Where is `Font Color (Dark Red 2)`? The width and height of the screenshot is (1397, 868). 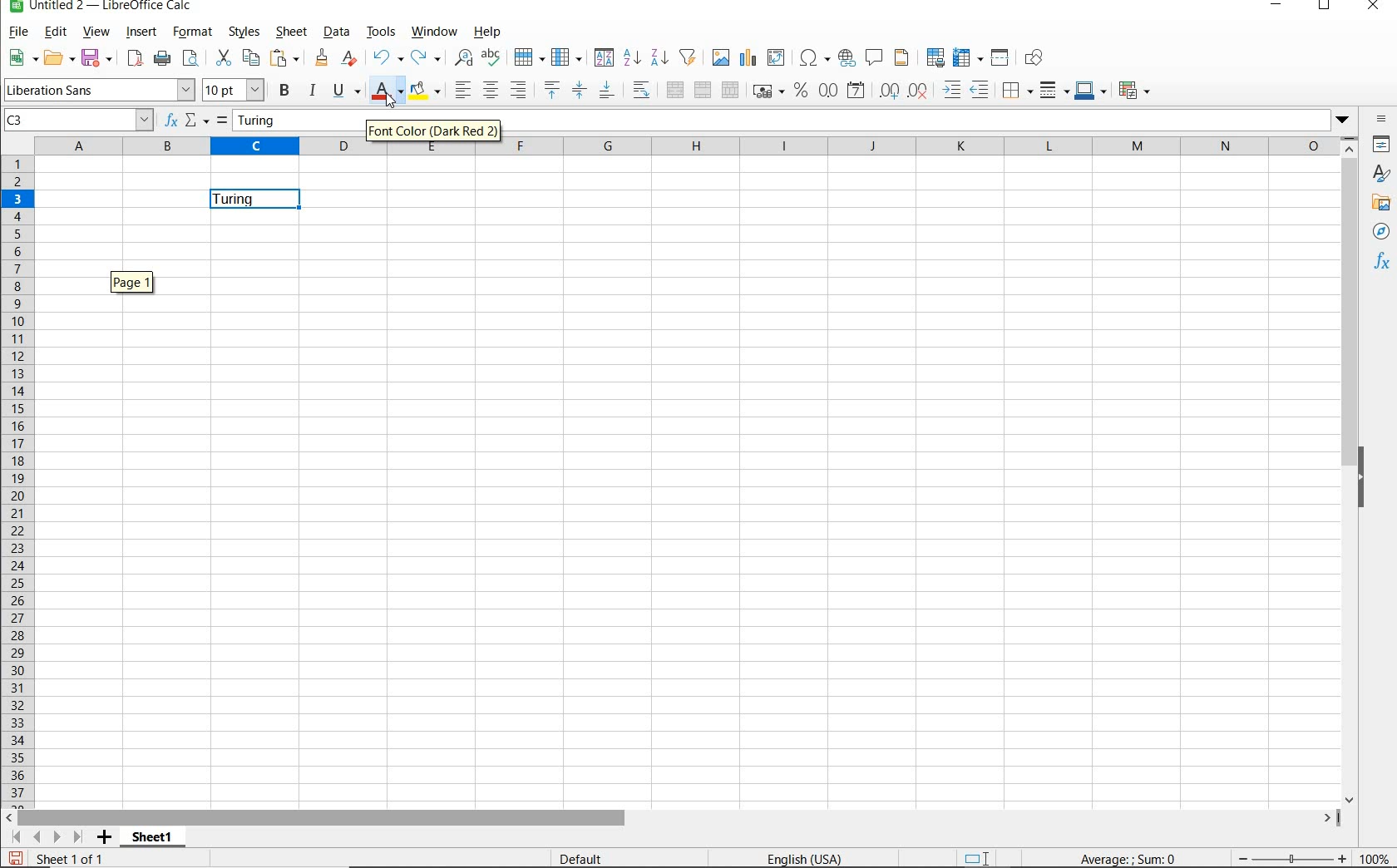
Font Color (Dark Red 2) is located at coordinates (434, 130).